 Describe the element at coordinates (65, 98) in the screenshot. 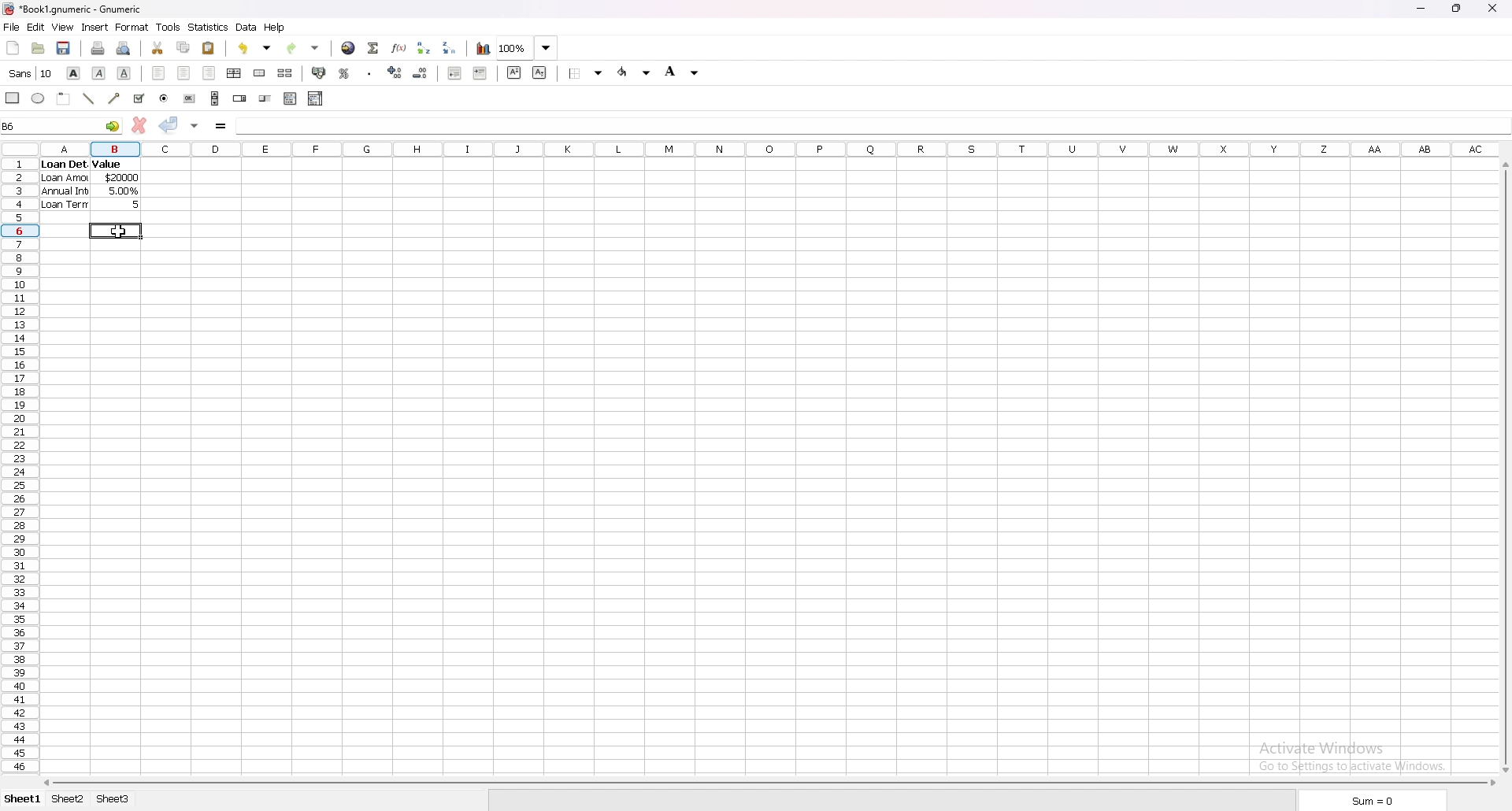

I see `frame` at that location.